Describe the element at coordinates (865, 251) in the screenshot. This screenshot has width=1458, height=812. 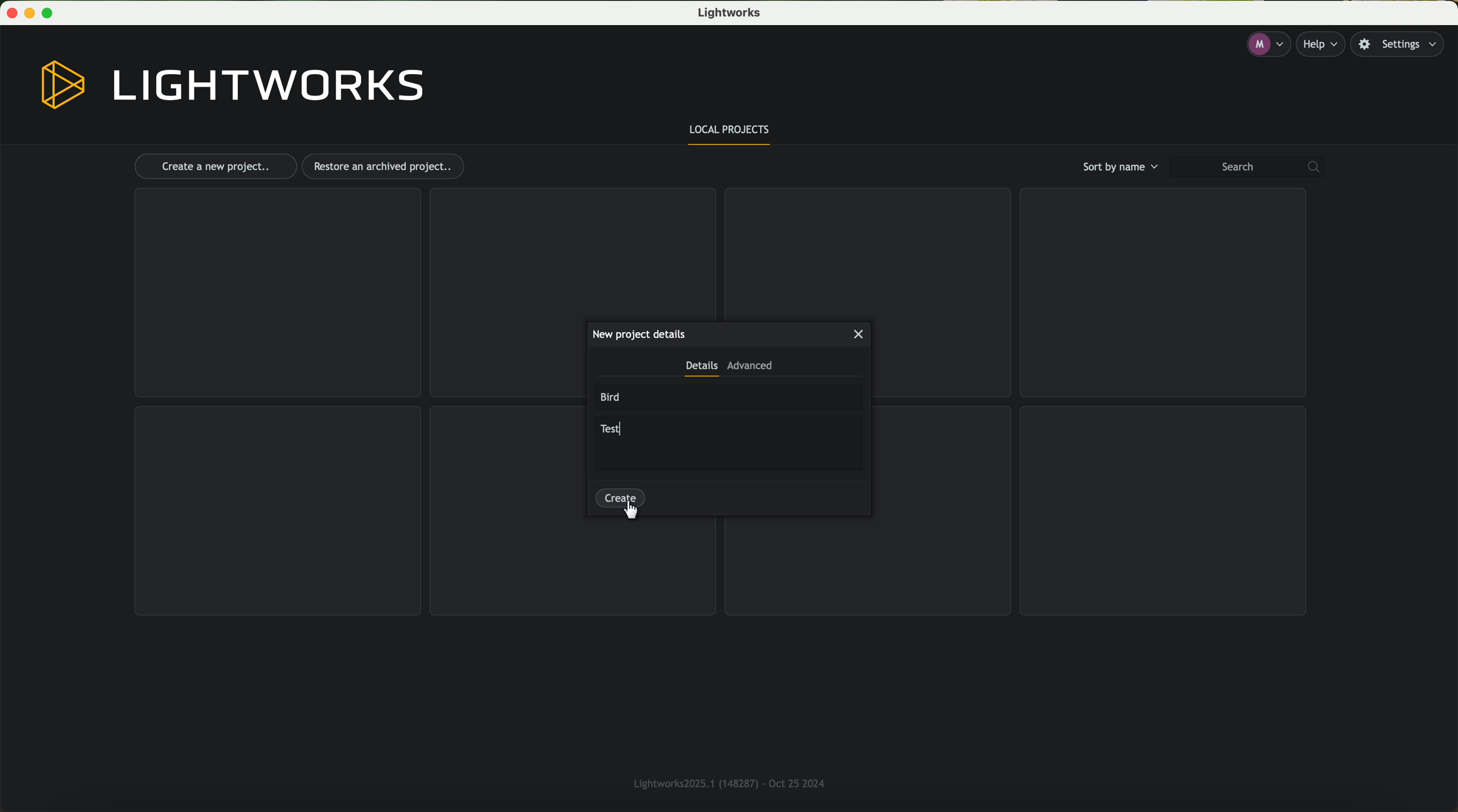
I see `grid` at that location.